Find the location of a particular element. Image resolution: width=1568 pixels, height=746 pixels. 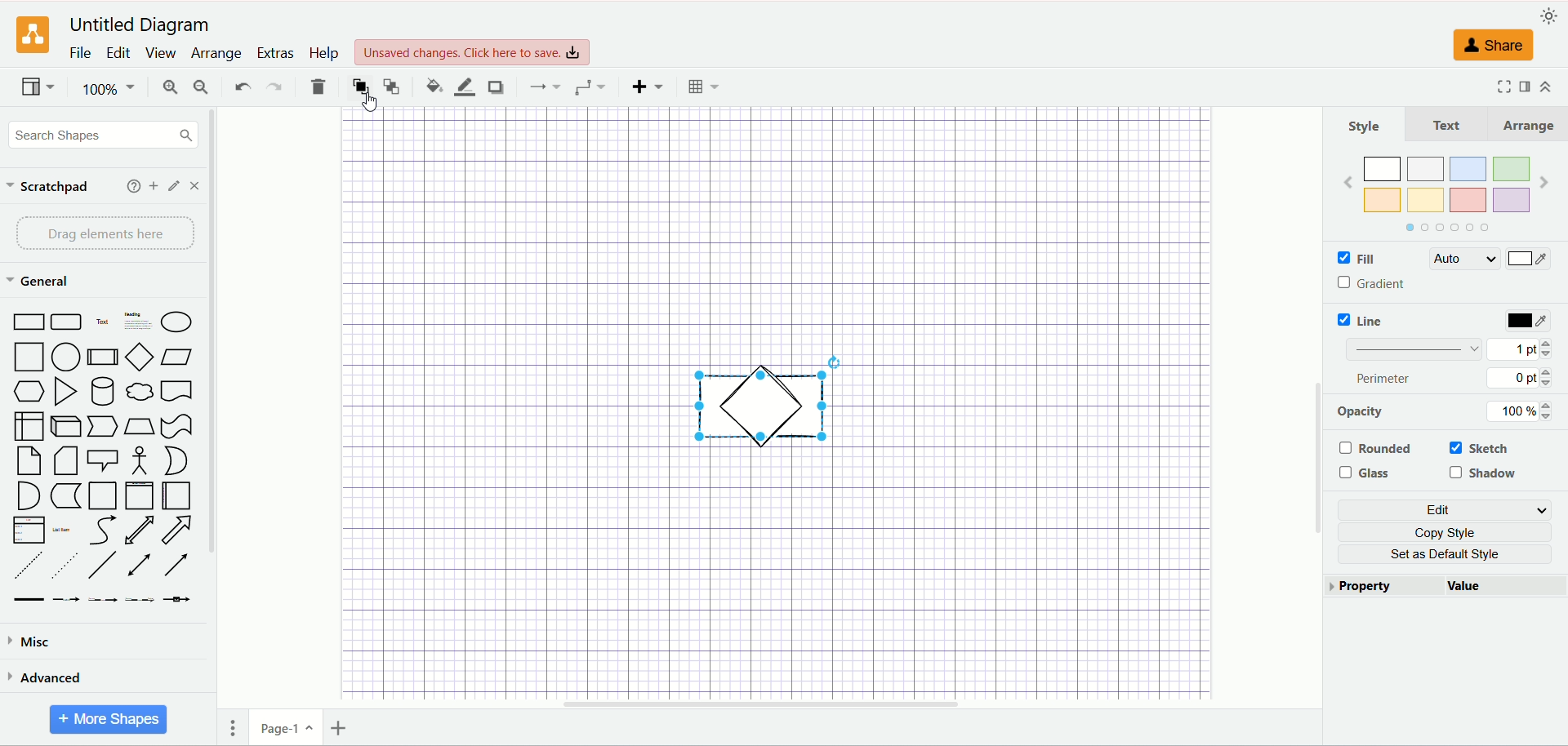

miscadvanced is located at coordinates (36, 644).